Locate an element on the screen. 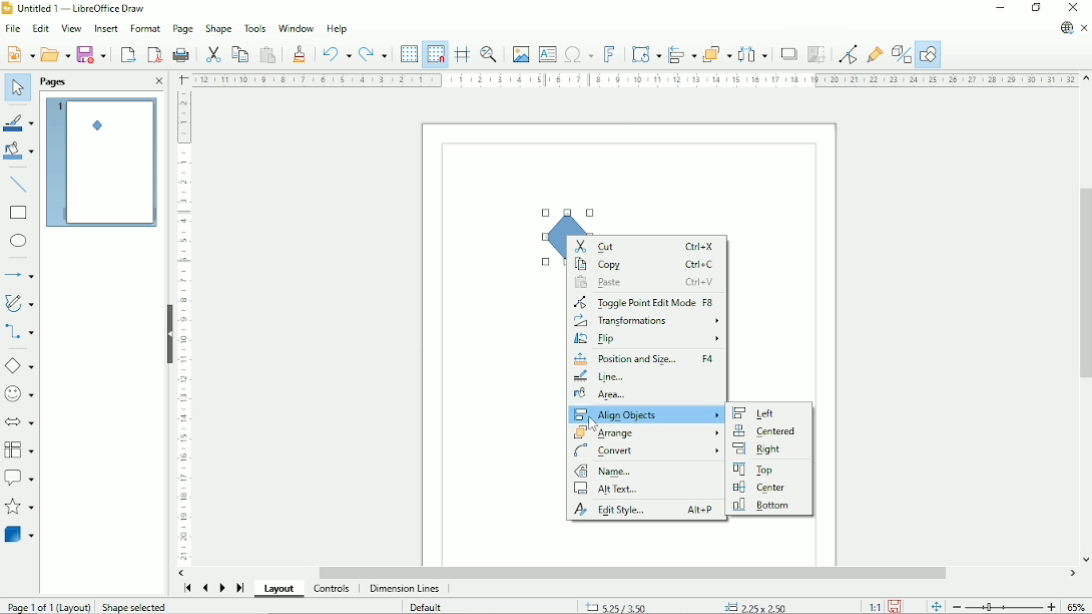 The width and height of the screenshot is (1092, 614). Position and size is located at coordinates (647, 359).